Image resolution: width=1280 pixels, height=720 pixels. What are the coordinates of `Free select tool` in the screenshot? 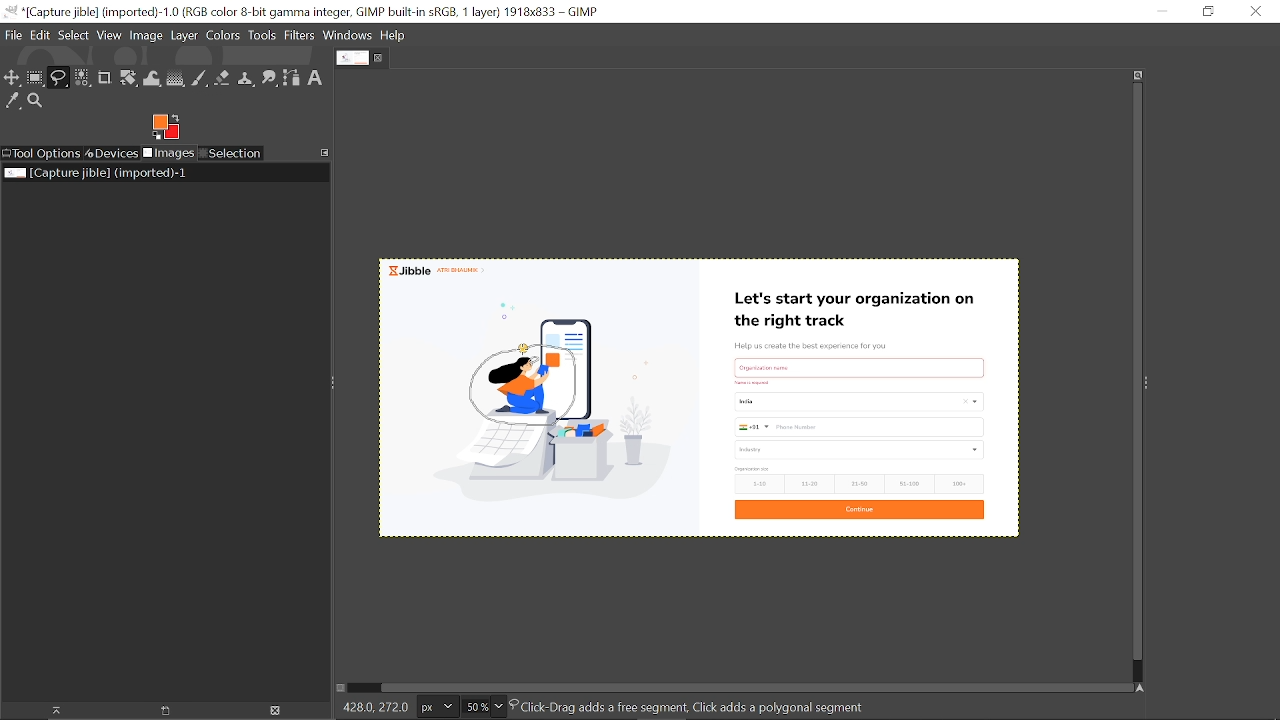 It's located at (58, 78).